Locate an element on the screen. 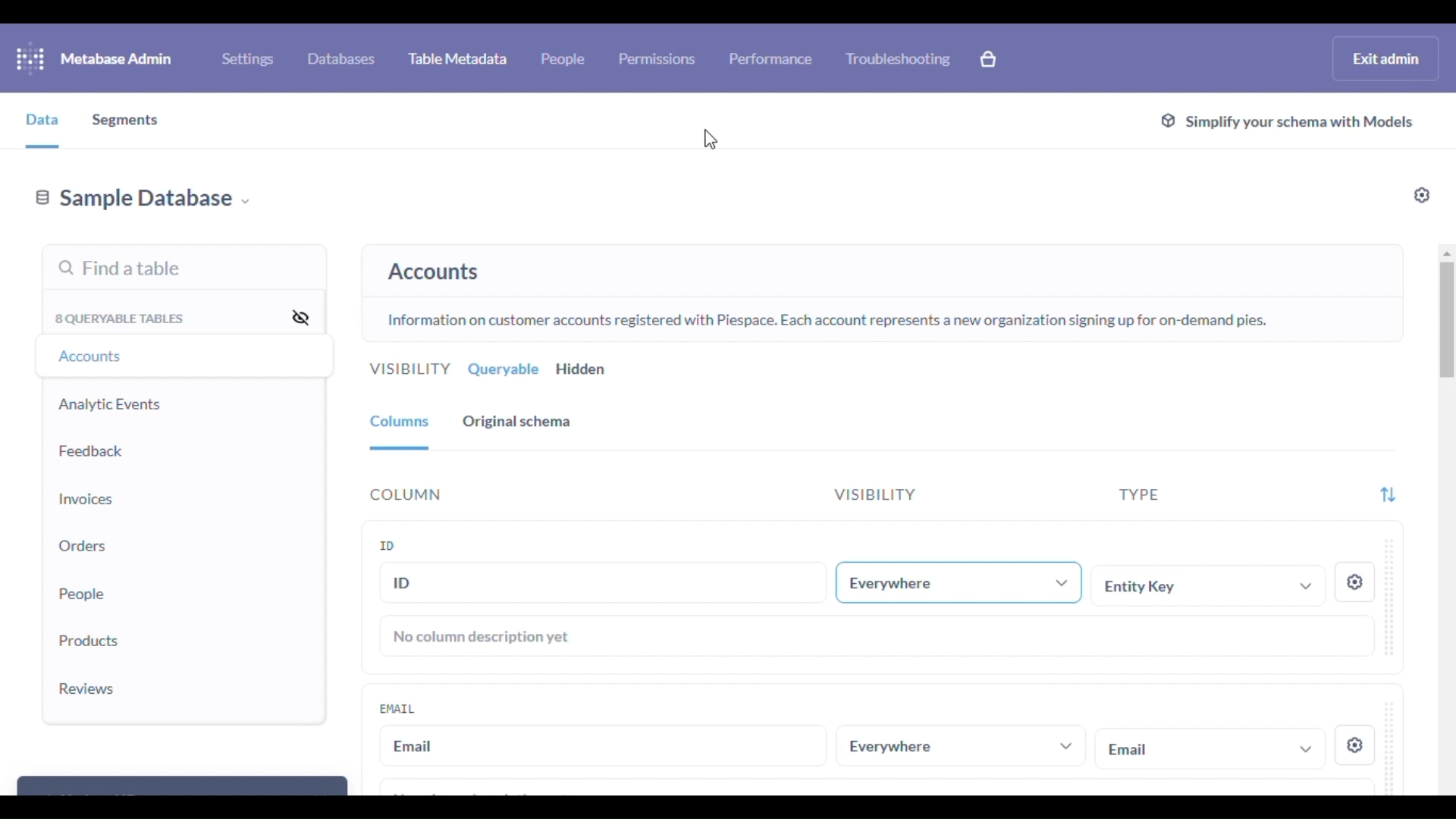 This screenshot has height=819, width=1456. find a table is located at coordinates (120, 270).